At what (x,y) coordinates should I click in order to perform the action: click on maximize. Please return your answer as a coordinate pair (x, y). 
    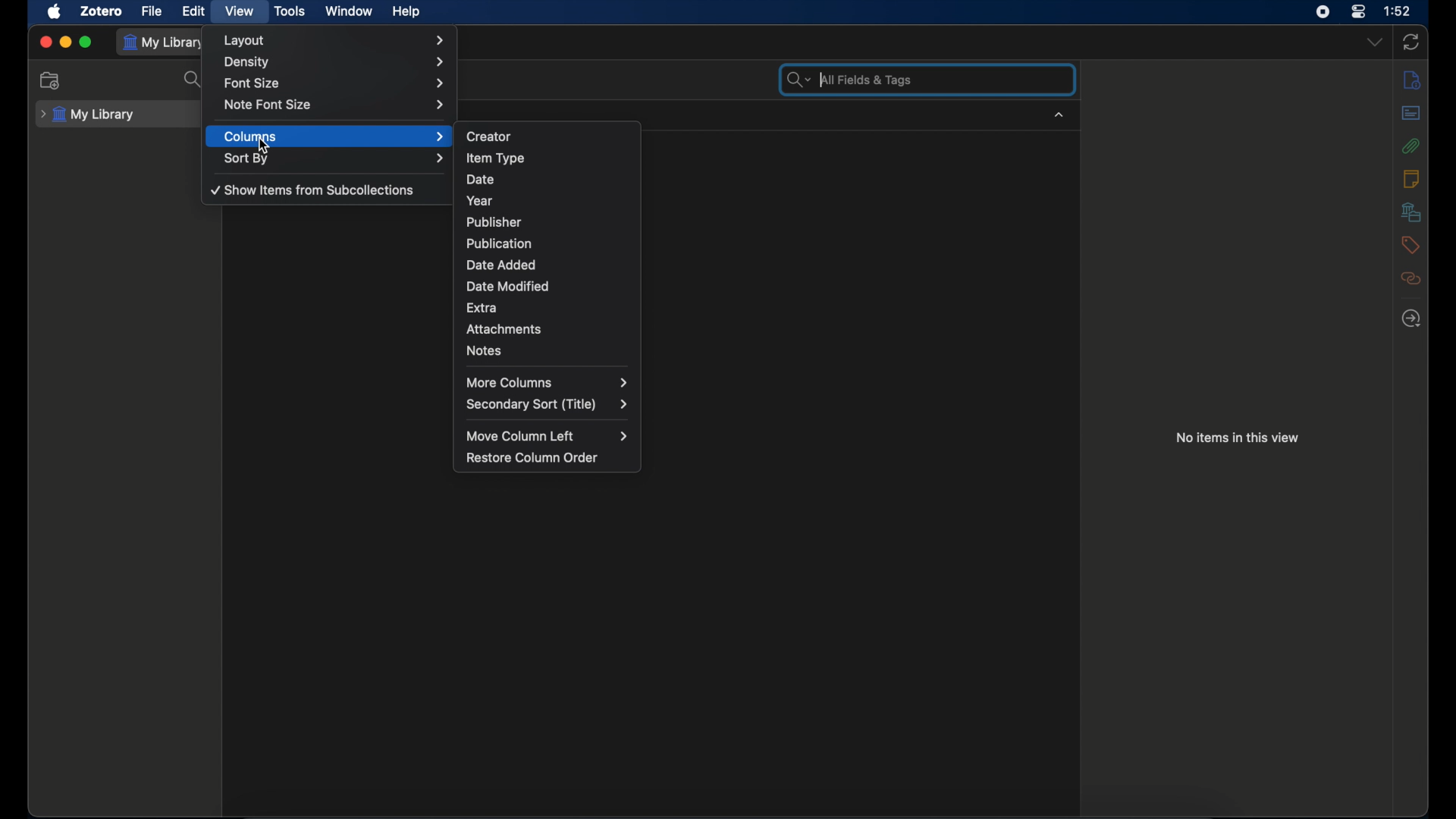
    Looking at the image, I should click on (86, 42).